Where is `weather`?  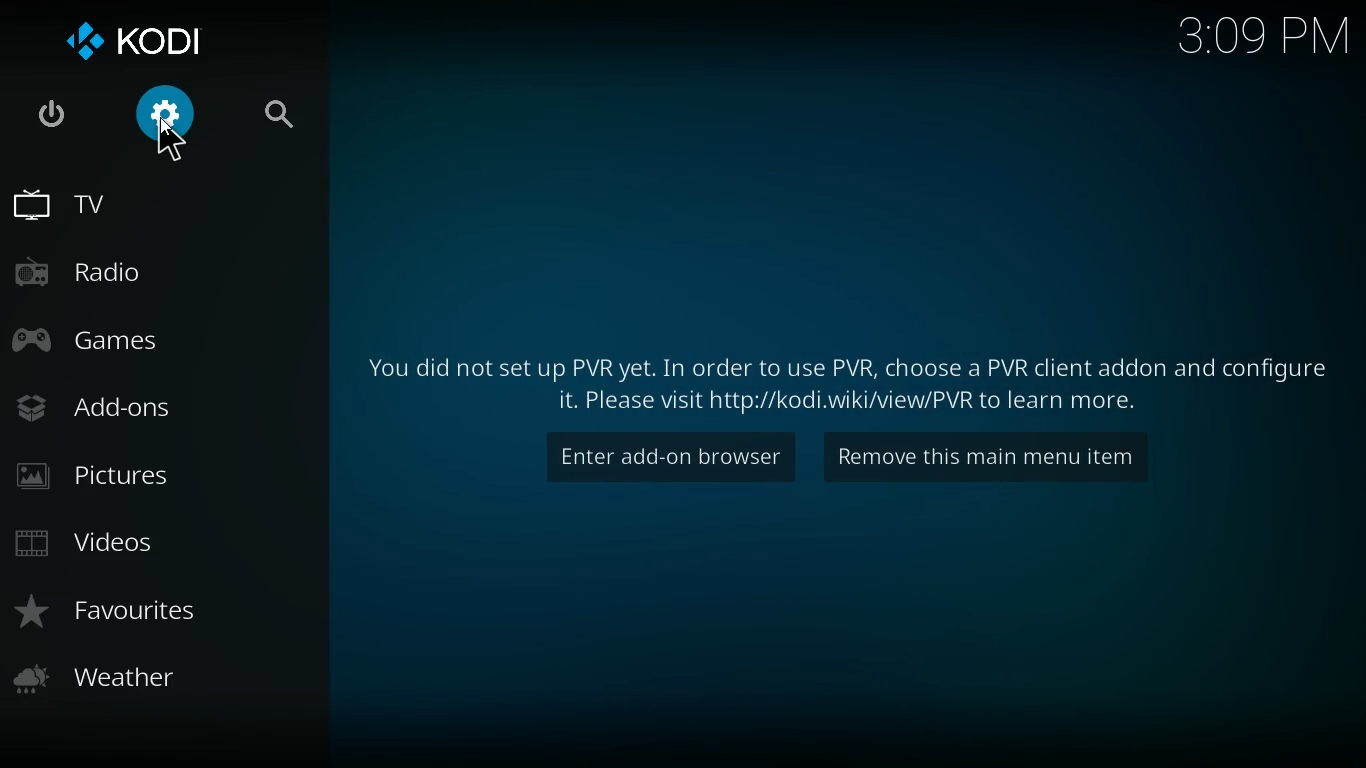 weather is located at coordinates (154, 677).